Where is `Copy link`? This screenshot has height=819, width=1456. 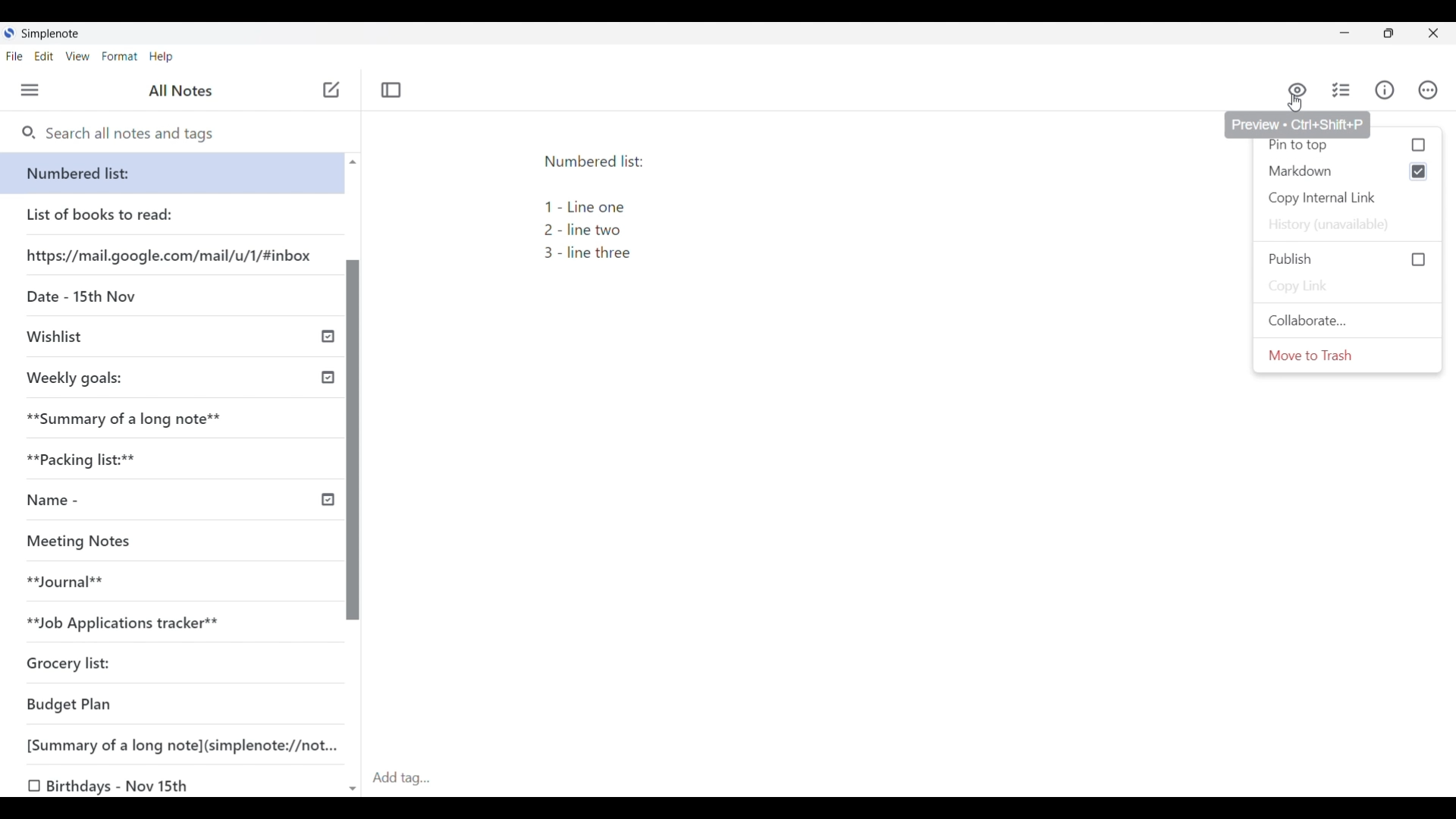 Copy link is located at coordinates (1348, 286).